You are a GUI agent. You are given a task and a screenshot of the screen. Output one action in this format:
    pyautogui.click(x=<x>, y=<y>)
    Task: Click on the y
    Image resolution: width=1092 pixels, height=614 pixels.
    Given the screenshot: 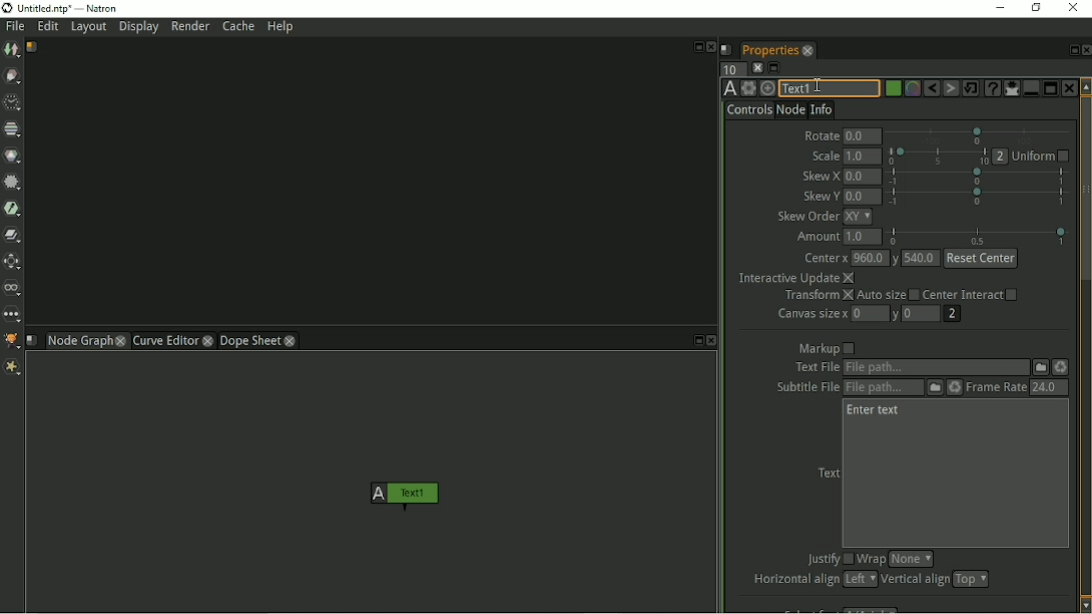 What is the action you would take?
    pyautogui.click(x=897, y=315)
    